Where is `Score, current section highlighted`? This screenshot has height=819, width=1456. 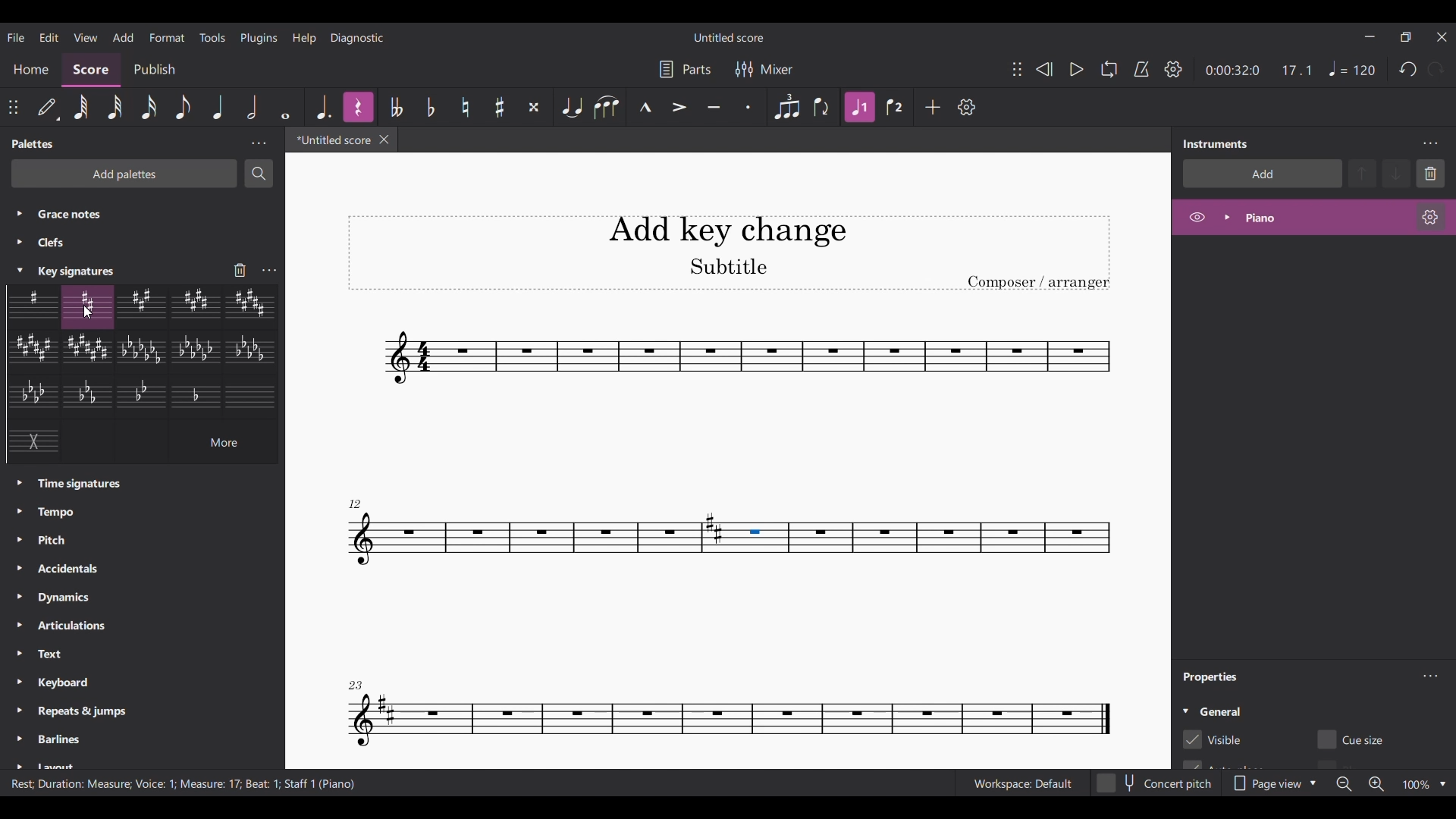 Score, current section highlighted is located at coordinates (92, 70).